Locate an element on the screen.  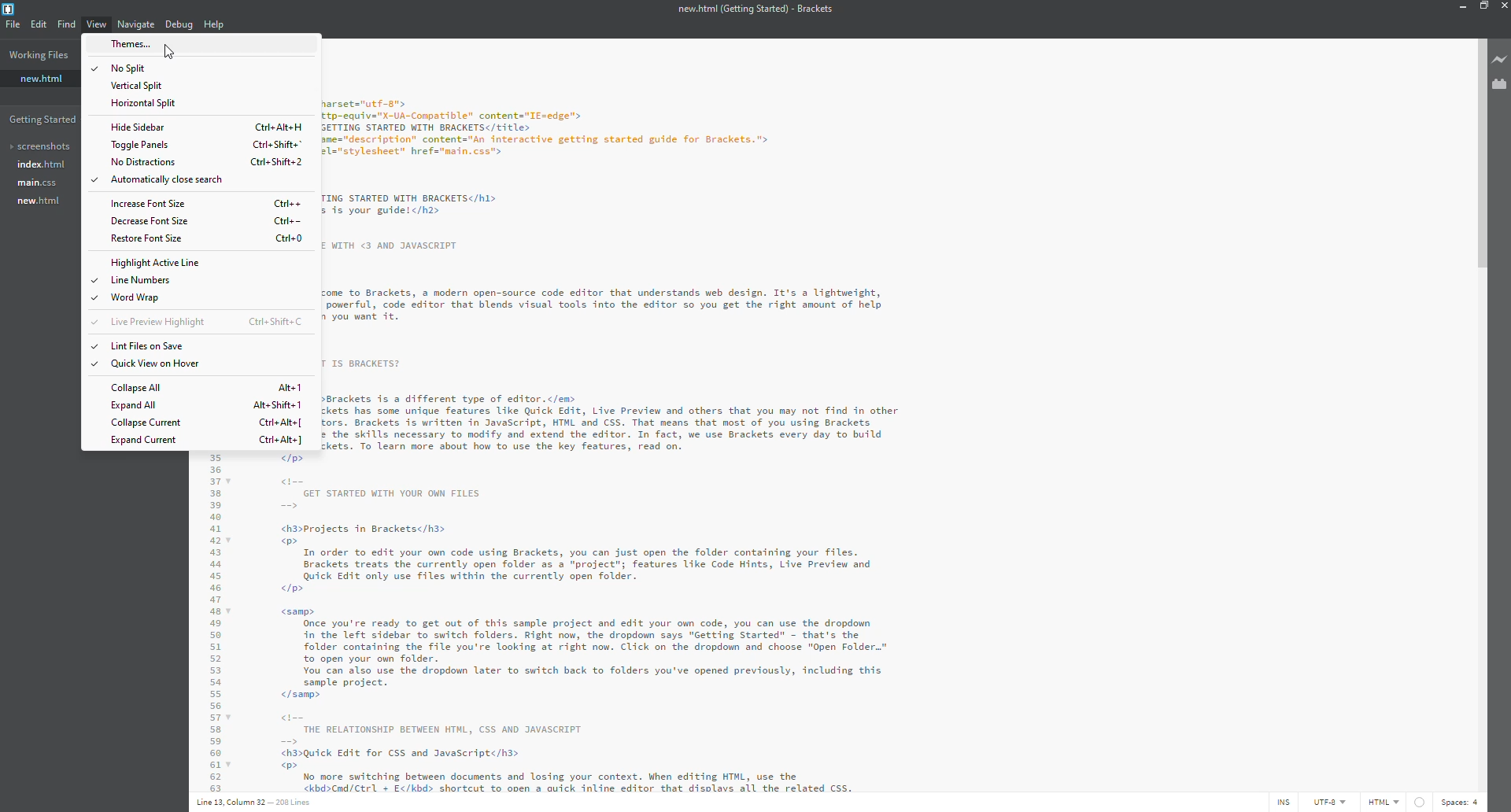
selected is located at coordinates (94, 68).